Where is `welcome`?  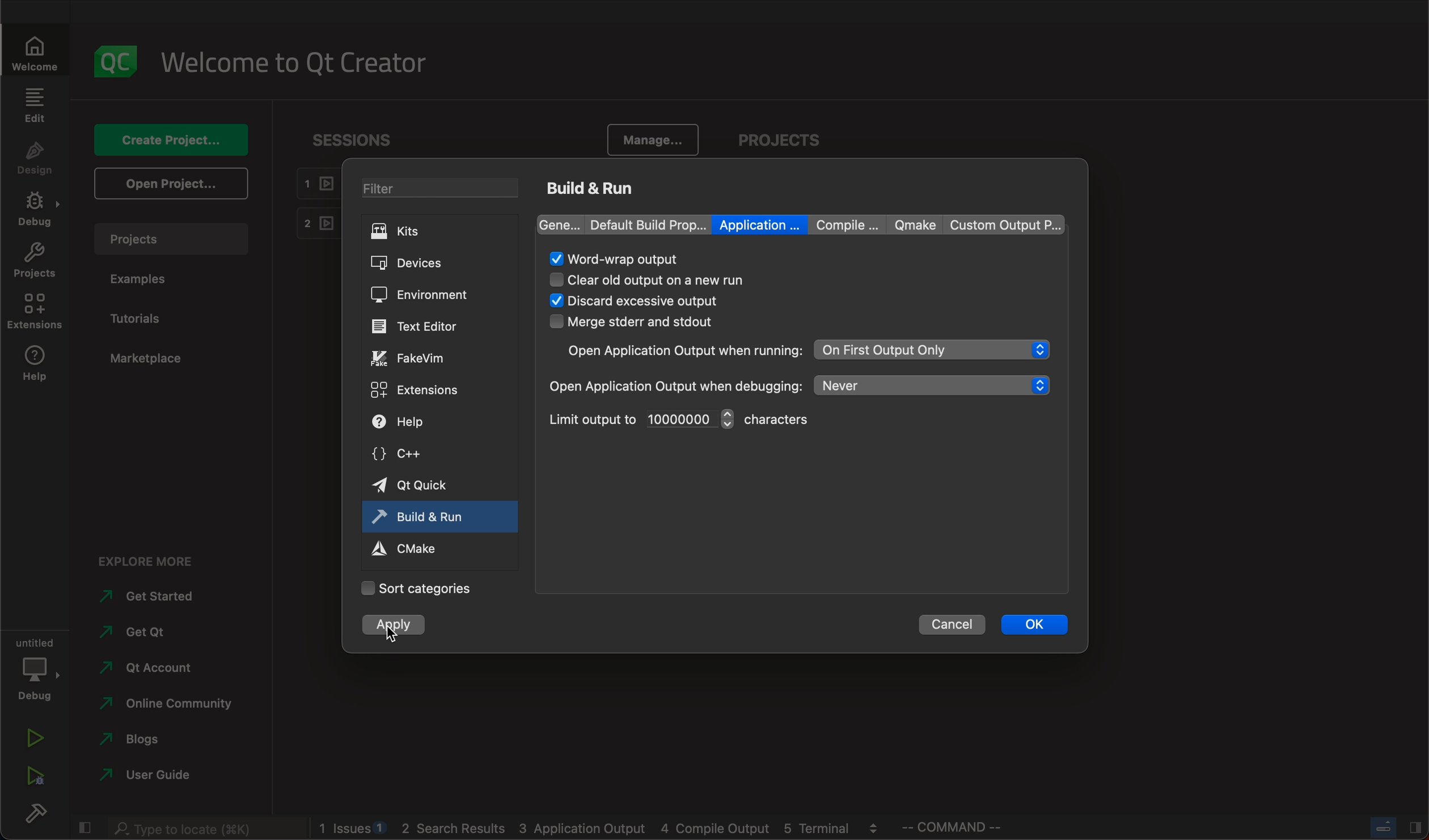
welcome is located at coordinates (34, 51).